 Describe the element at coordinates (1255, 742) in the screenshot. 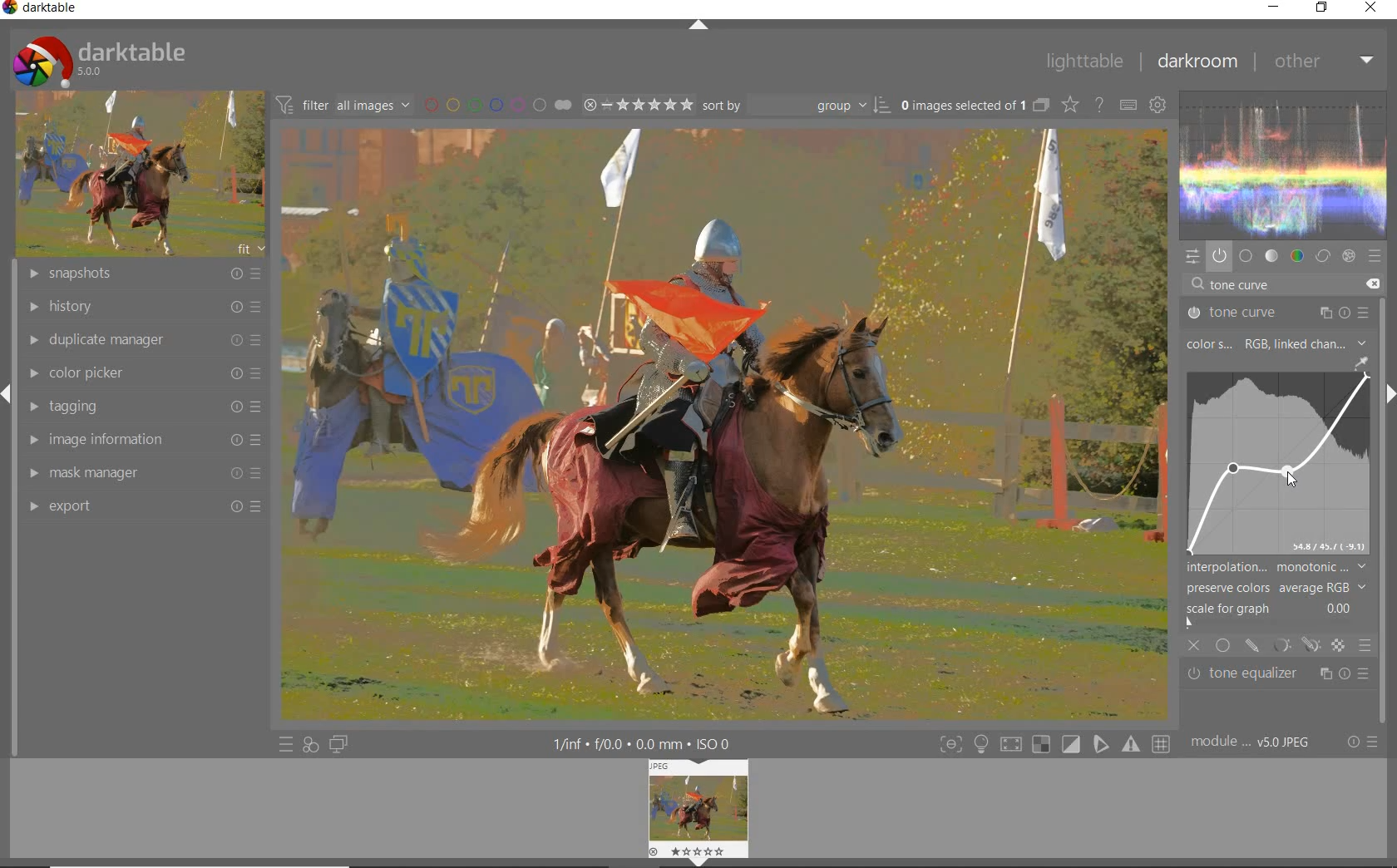

I see `module... v5.0 JPEG` at that location.